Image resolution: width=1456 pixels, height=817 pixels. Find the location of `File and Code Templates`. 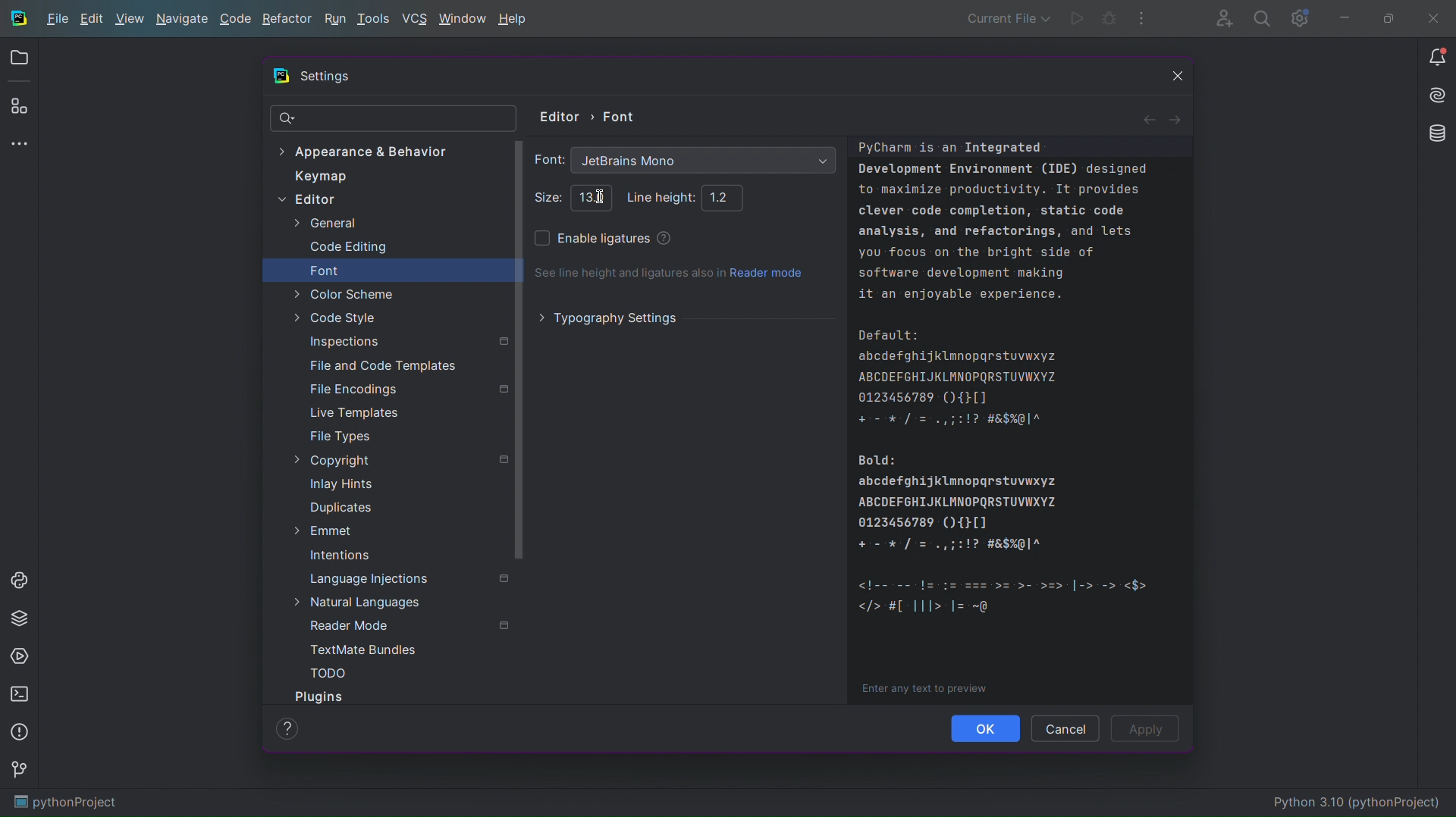

File and Code Templates is located at coordinates (382, 364).